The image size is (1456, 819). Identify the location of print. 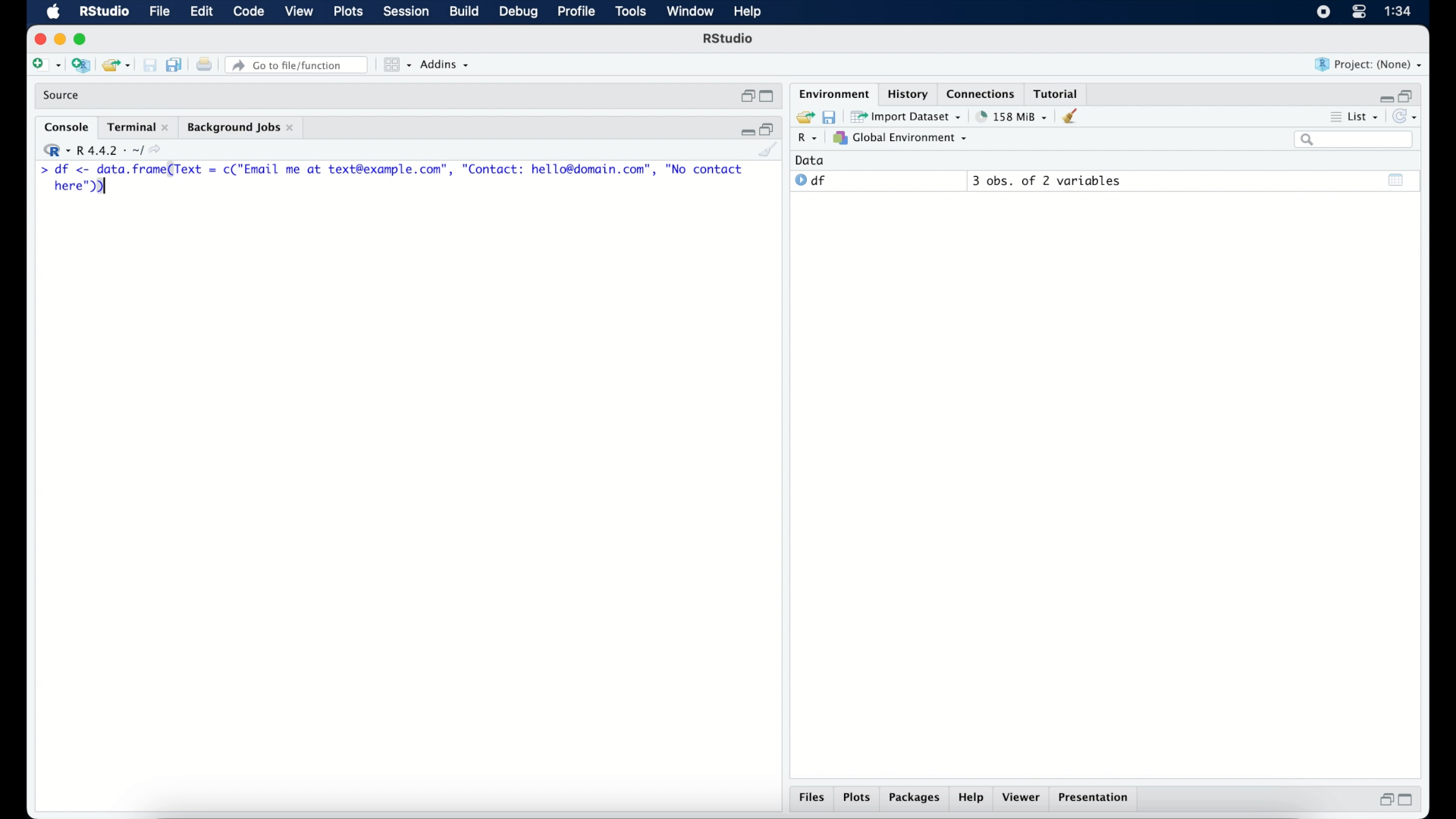
(203, 64).